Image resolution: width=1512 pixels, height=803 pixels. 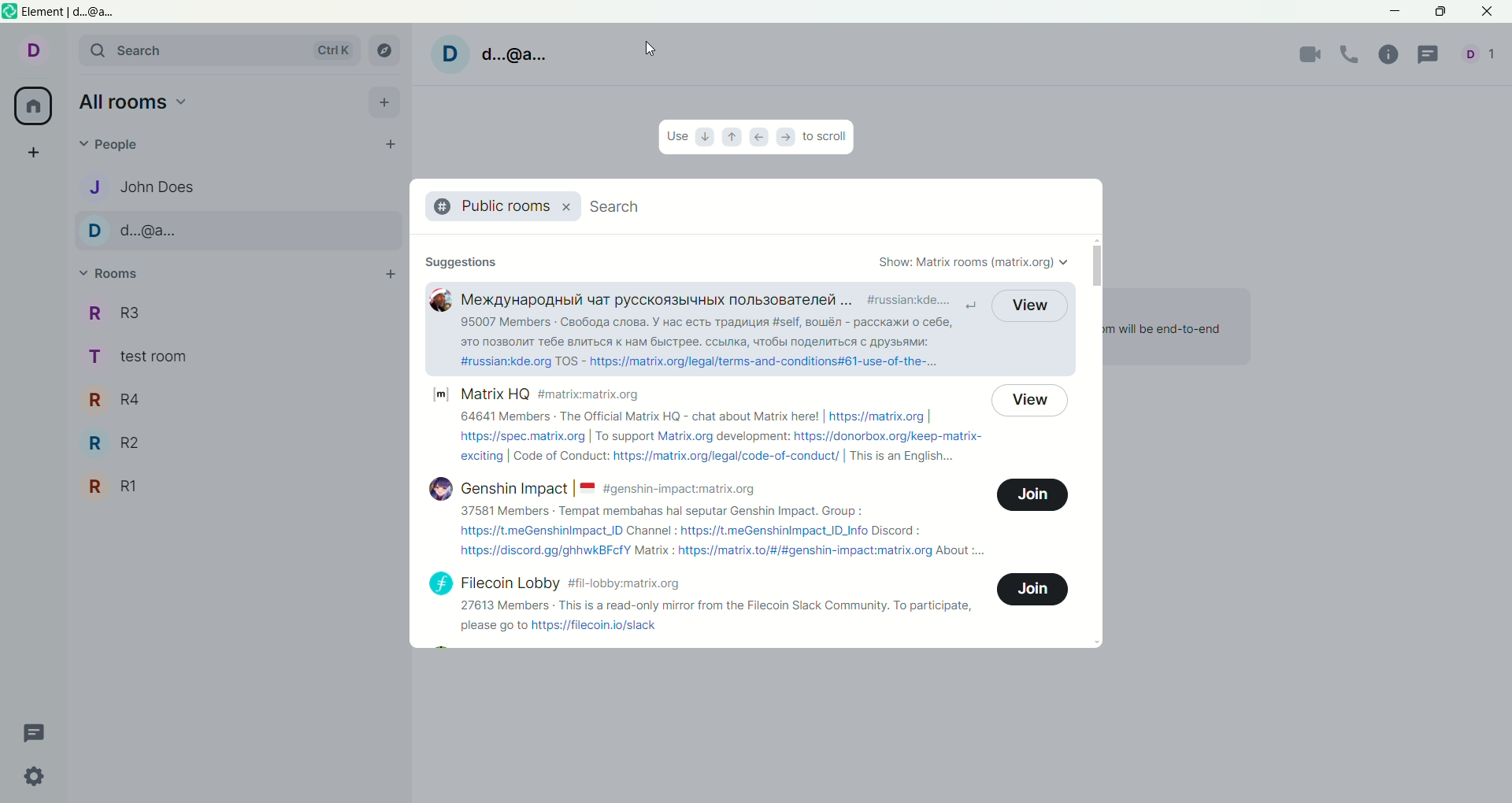 I want to click on Once invited users have joined Element, you will be able to chat and the room will be end-to-end encrypted, so click(x=1163, y=338).